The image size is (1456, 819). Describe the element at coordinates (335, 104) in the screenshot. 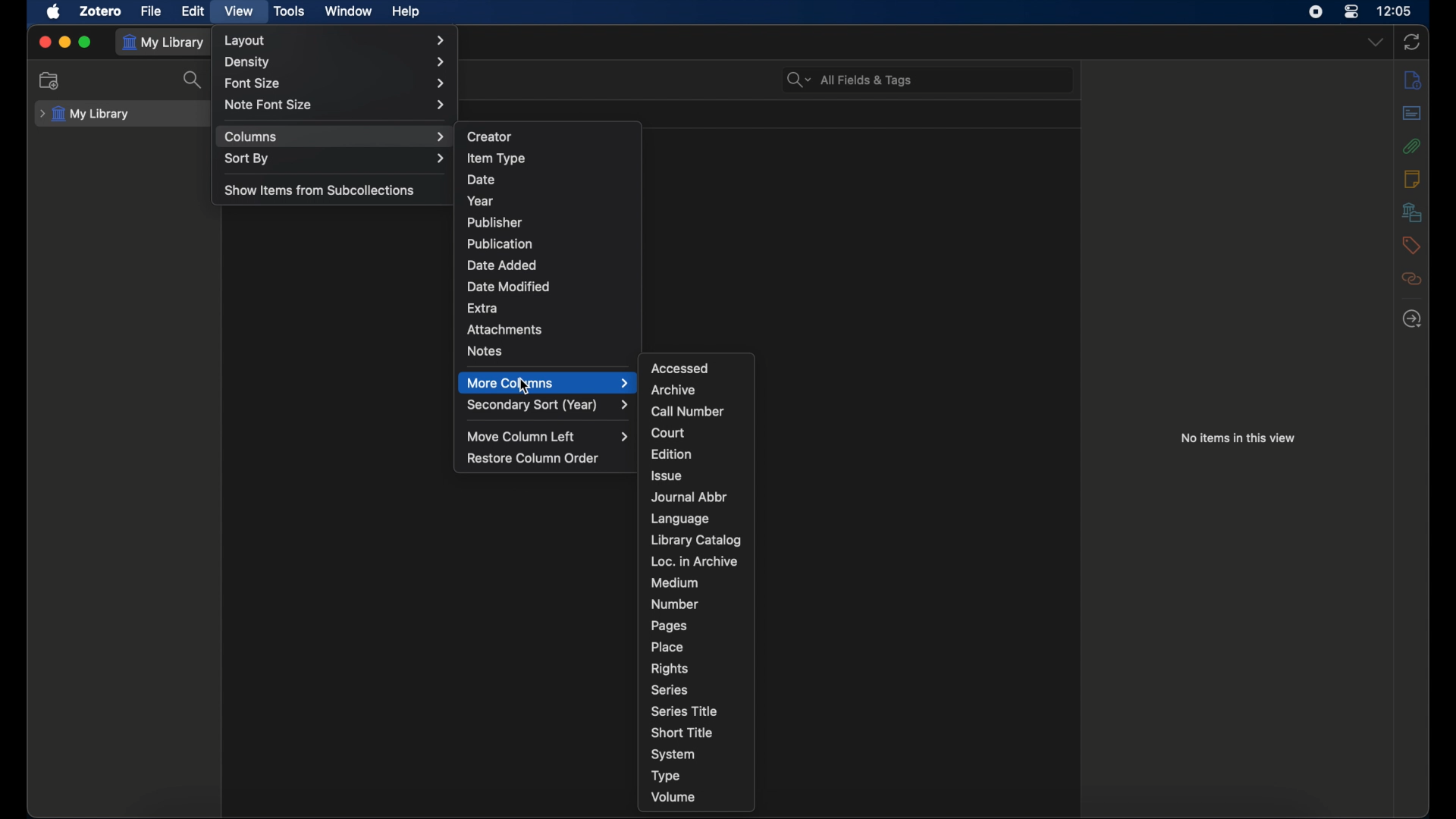

I see `note font size` at that location.